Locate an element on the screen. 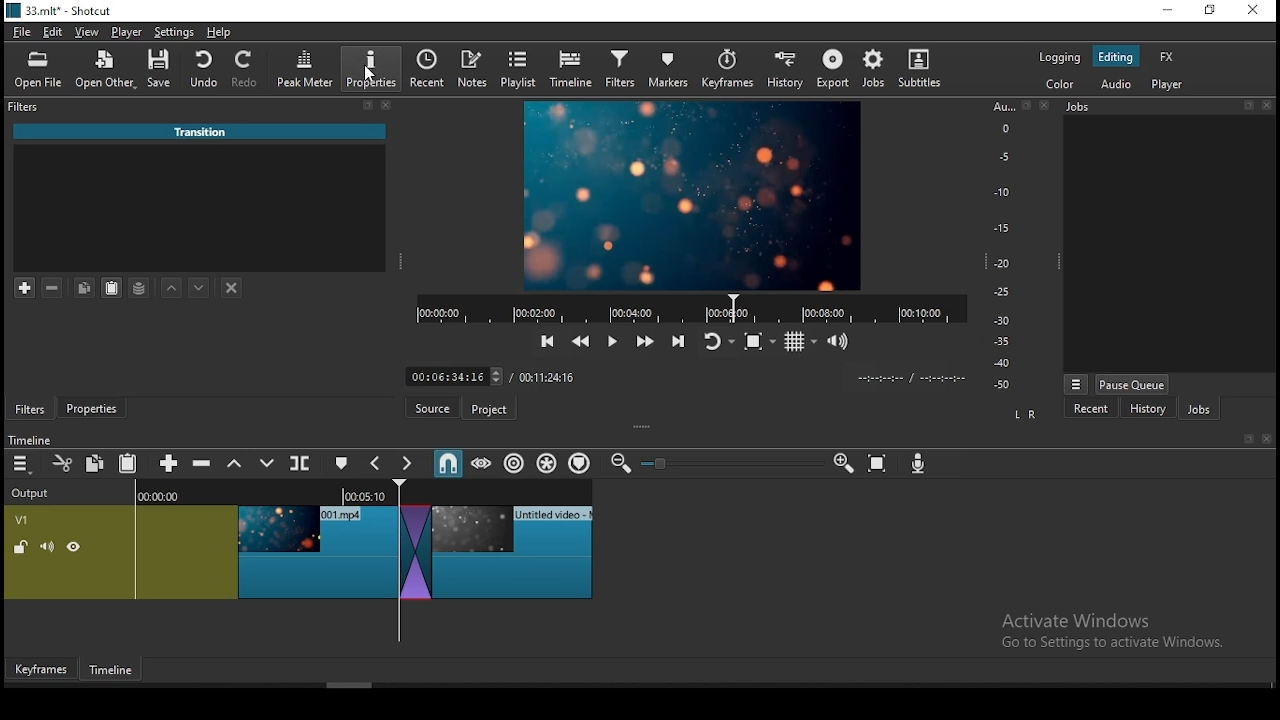  playlist is located at coordinates (520, 70).